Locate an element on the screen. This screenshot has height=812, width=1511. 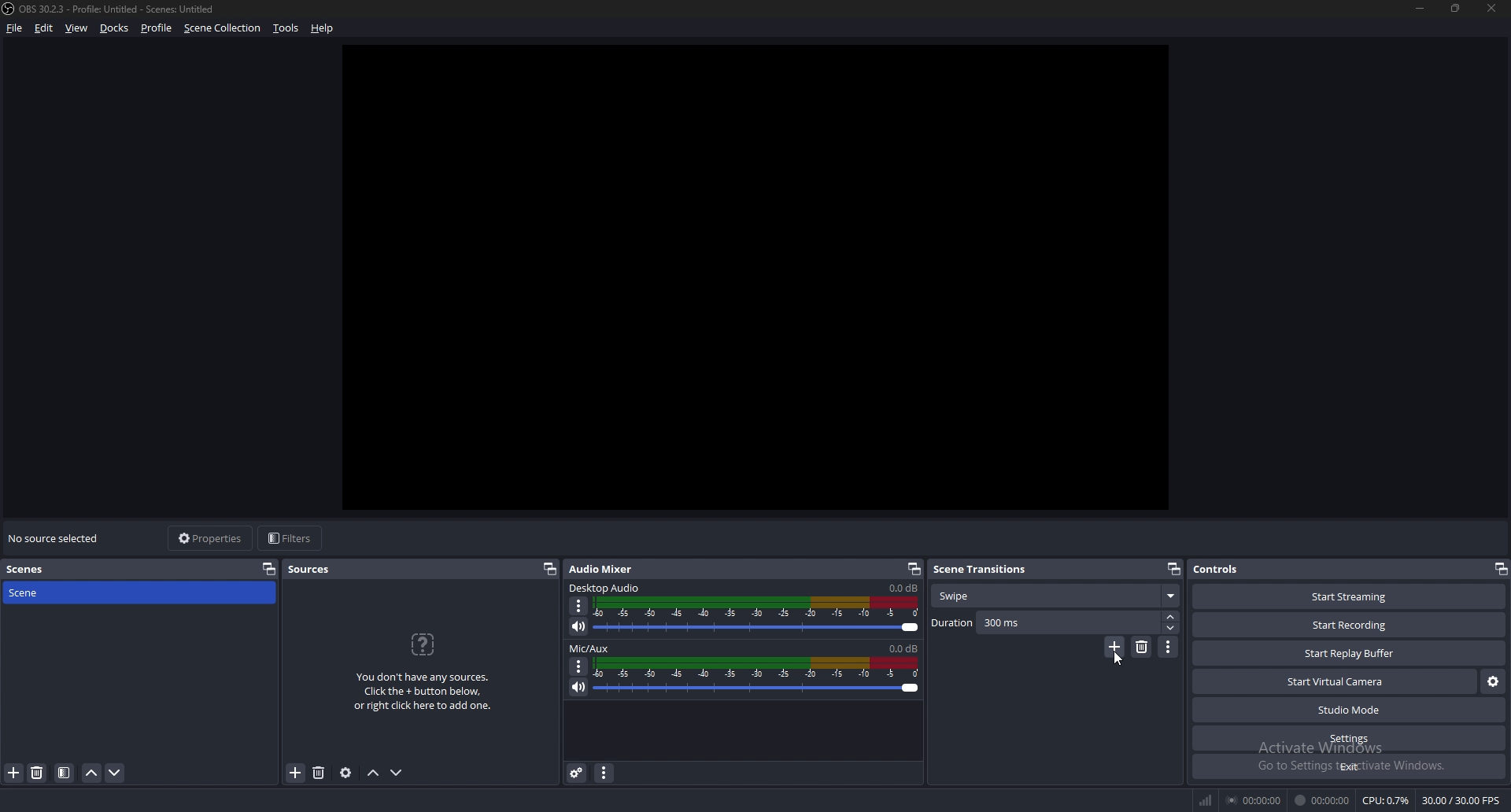
You don't have any sources.Click the + button below,o right click here to add one. is located at coordinates (423, 672).